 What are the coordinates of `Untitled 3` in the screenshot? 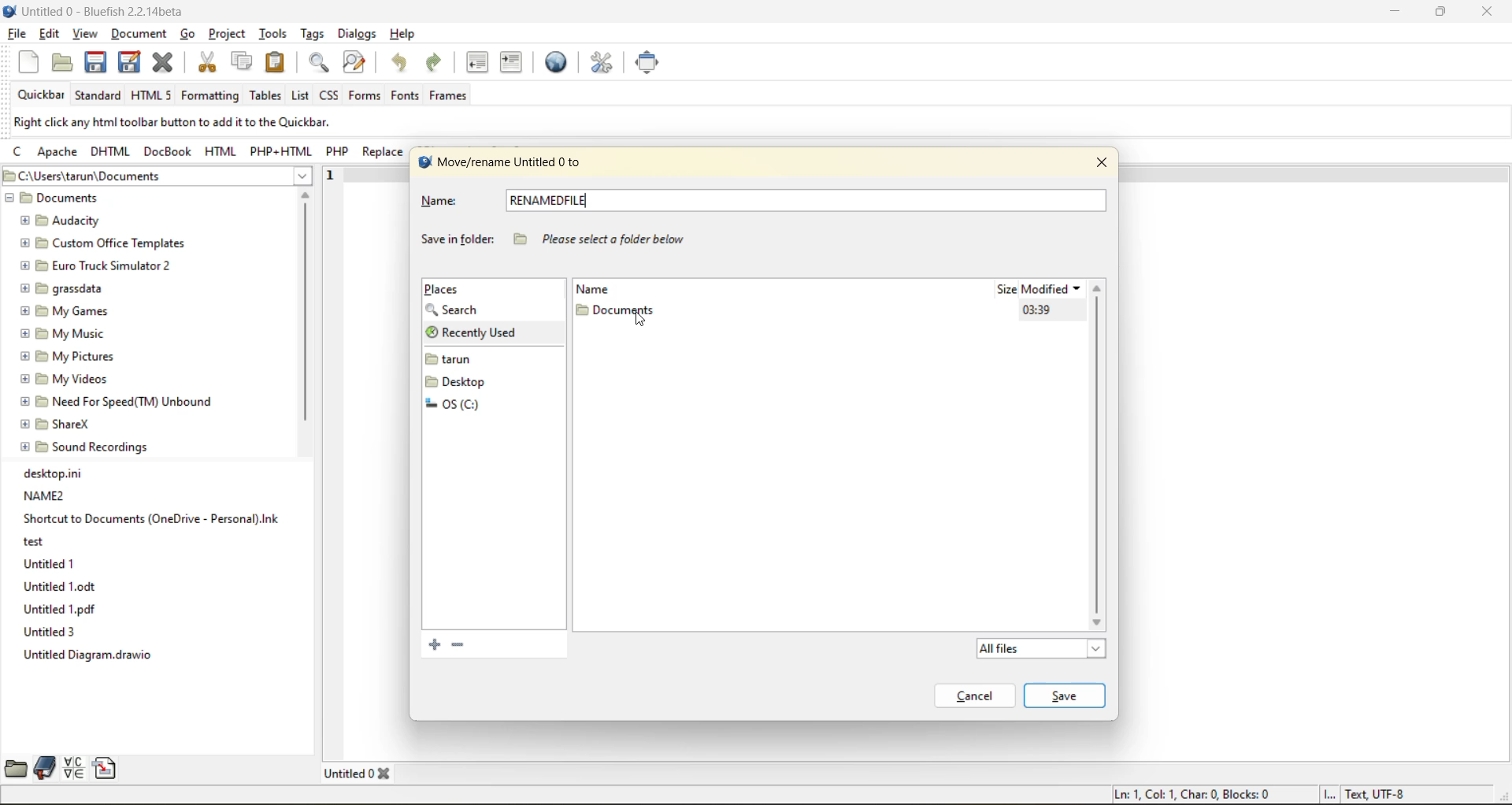 It's located at (47, 632).